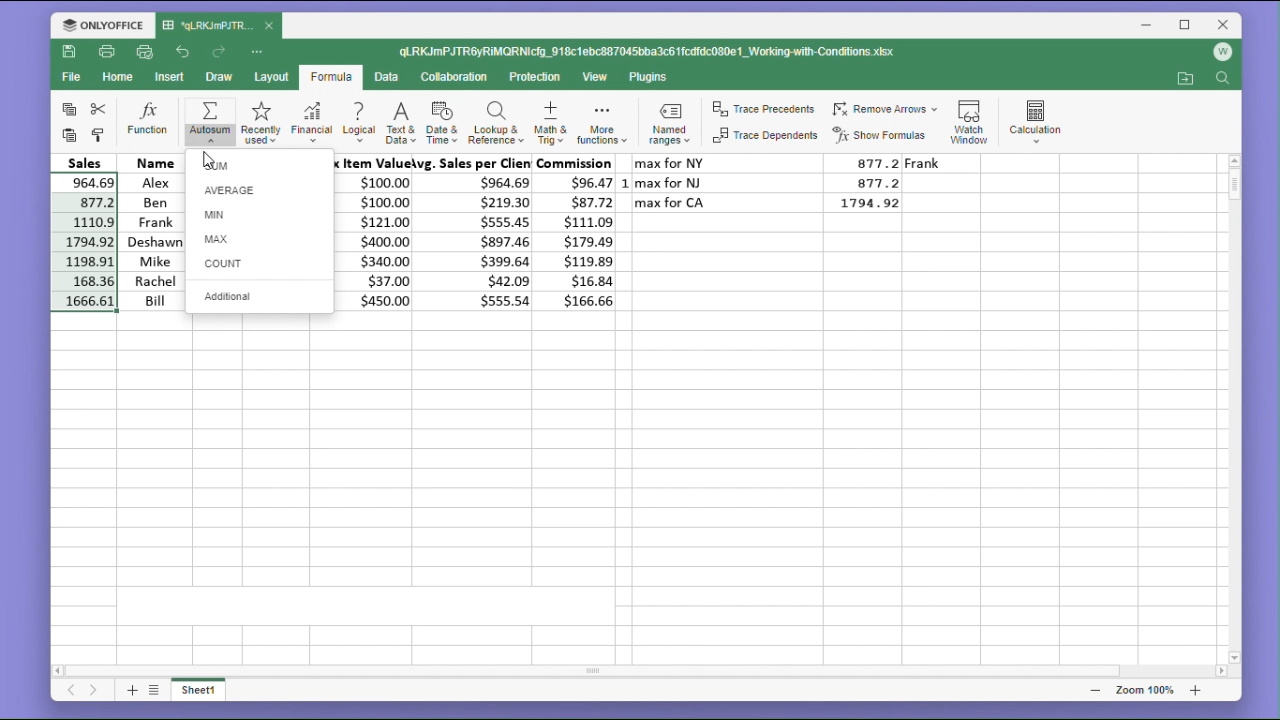 The height and width of the screenshot is (720, 1280). Describe the element at coordinates (260, 120) in the screenshot. I see `recently used` at that location.